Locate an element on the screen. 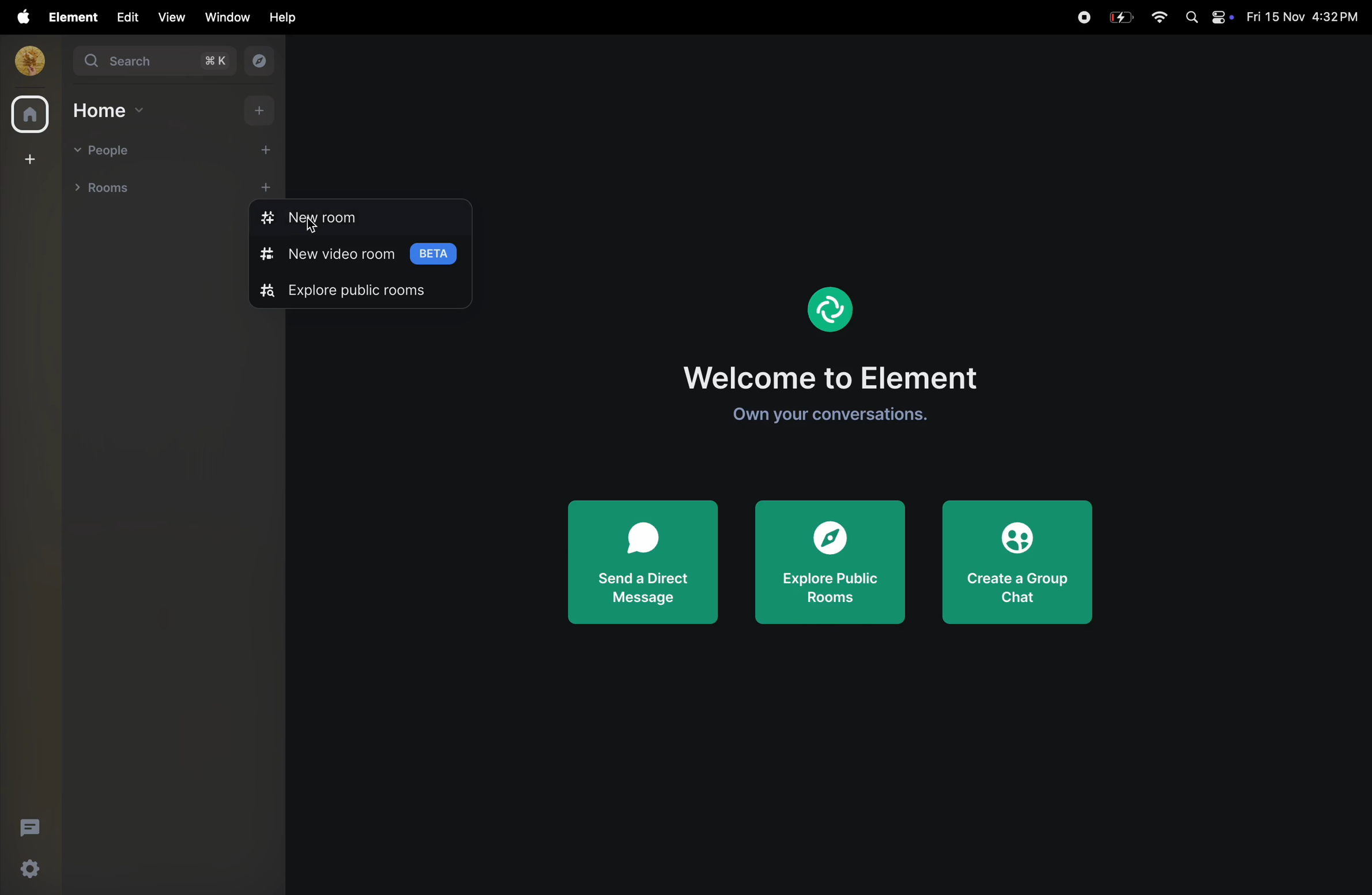 This screenshot has width=1372, height=895. view is located at coordinates (171, 17).